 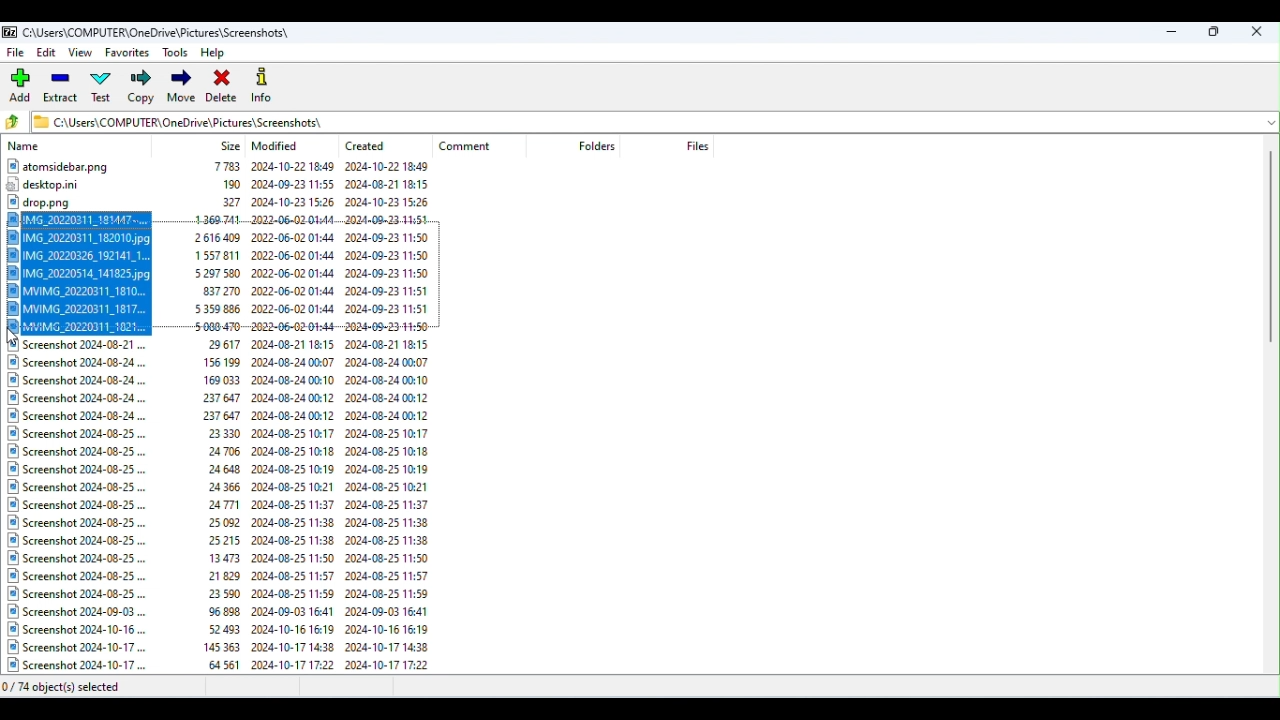 I want to click on Info, so click(x=264, y=84).